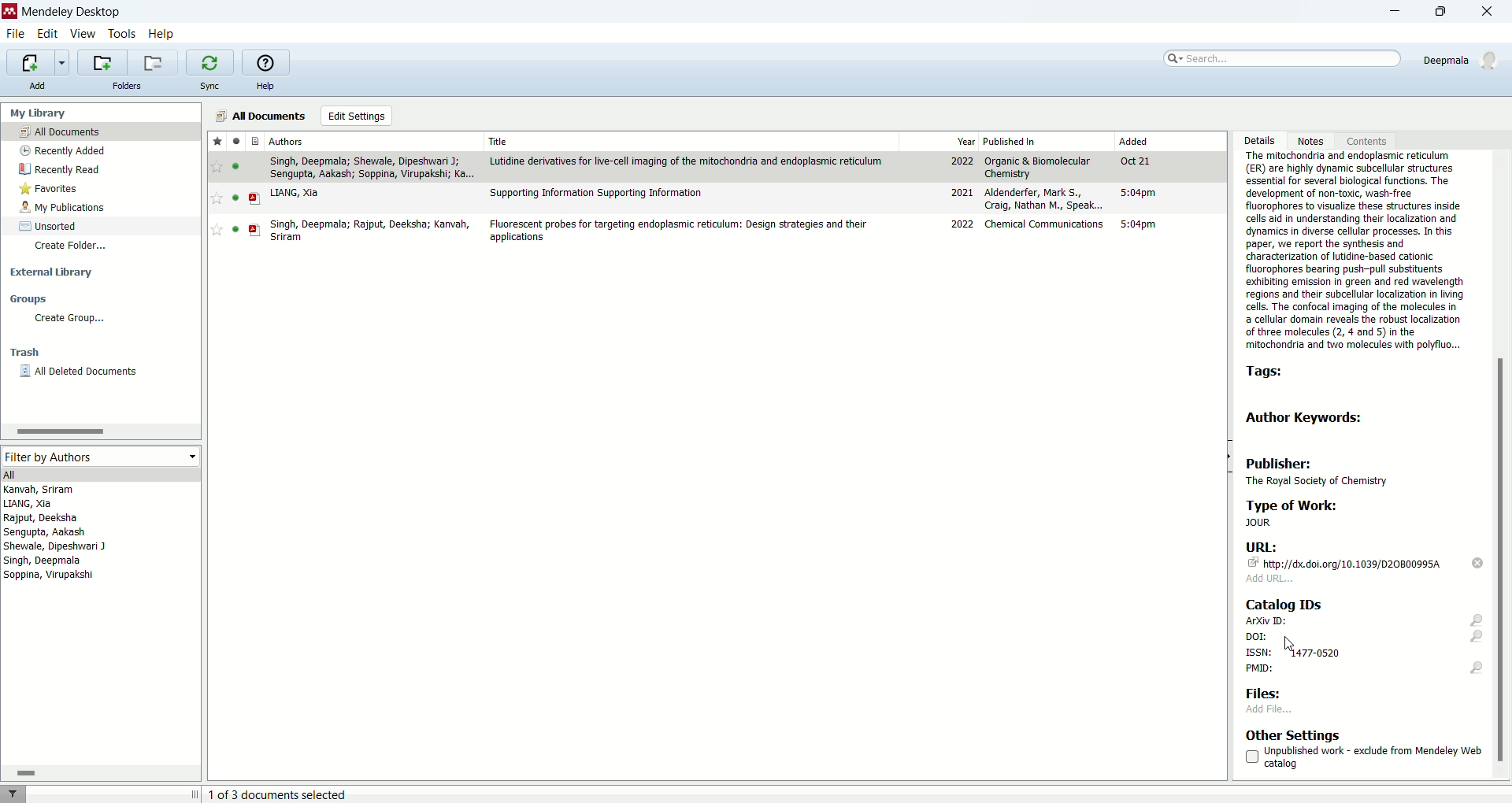 This screenshot has height=803, width=1512. I want to click on 1 of 3 document selected, so click(285, 794).